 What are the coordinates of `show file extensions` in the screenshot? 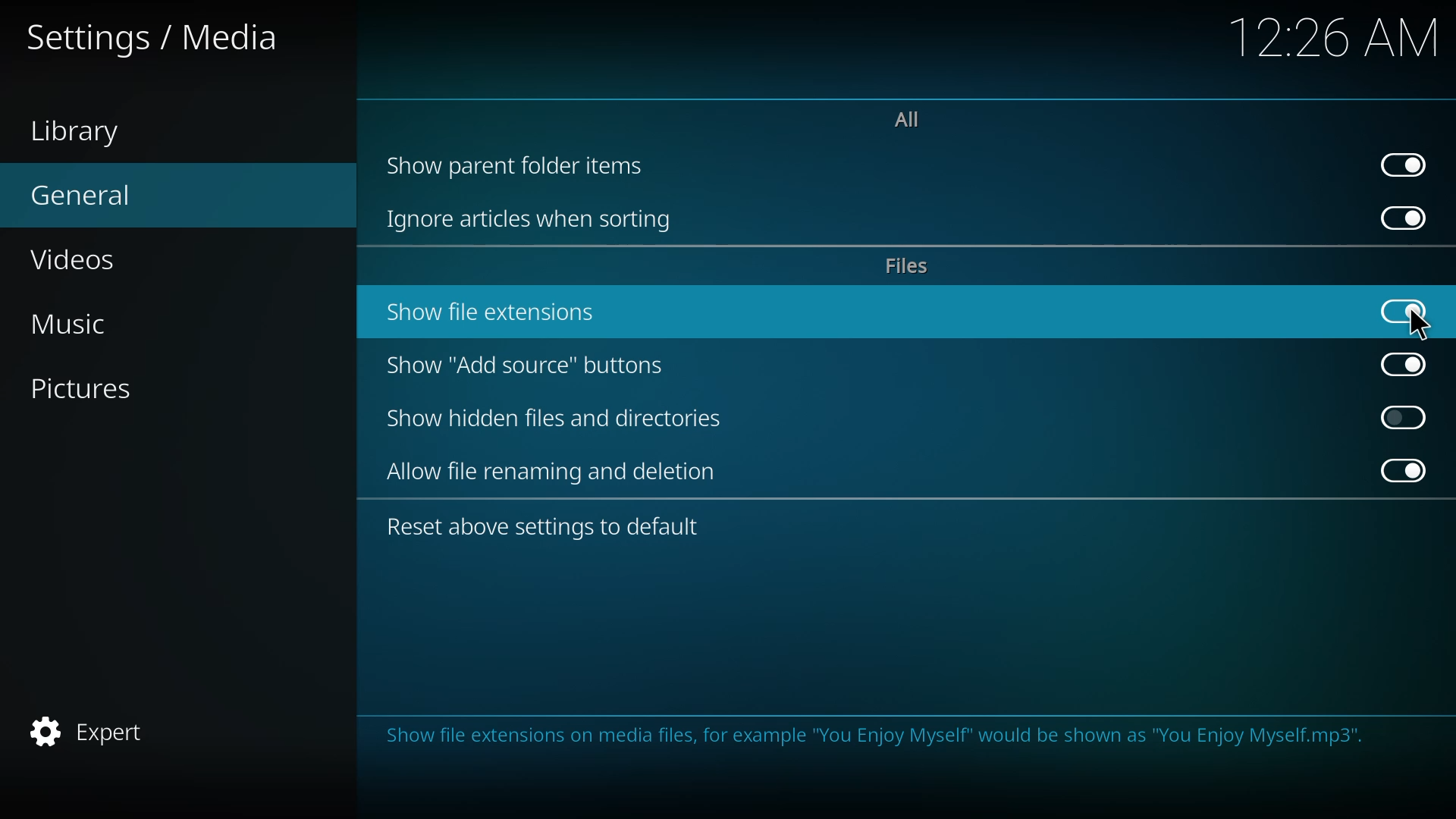 It's located at (497, 312).